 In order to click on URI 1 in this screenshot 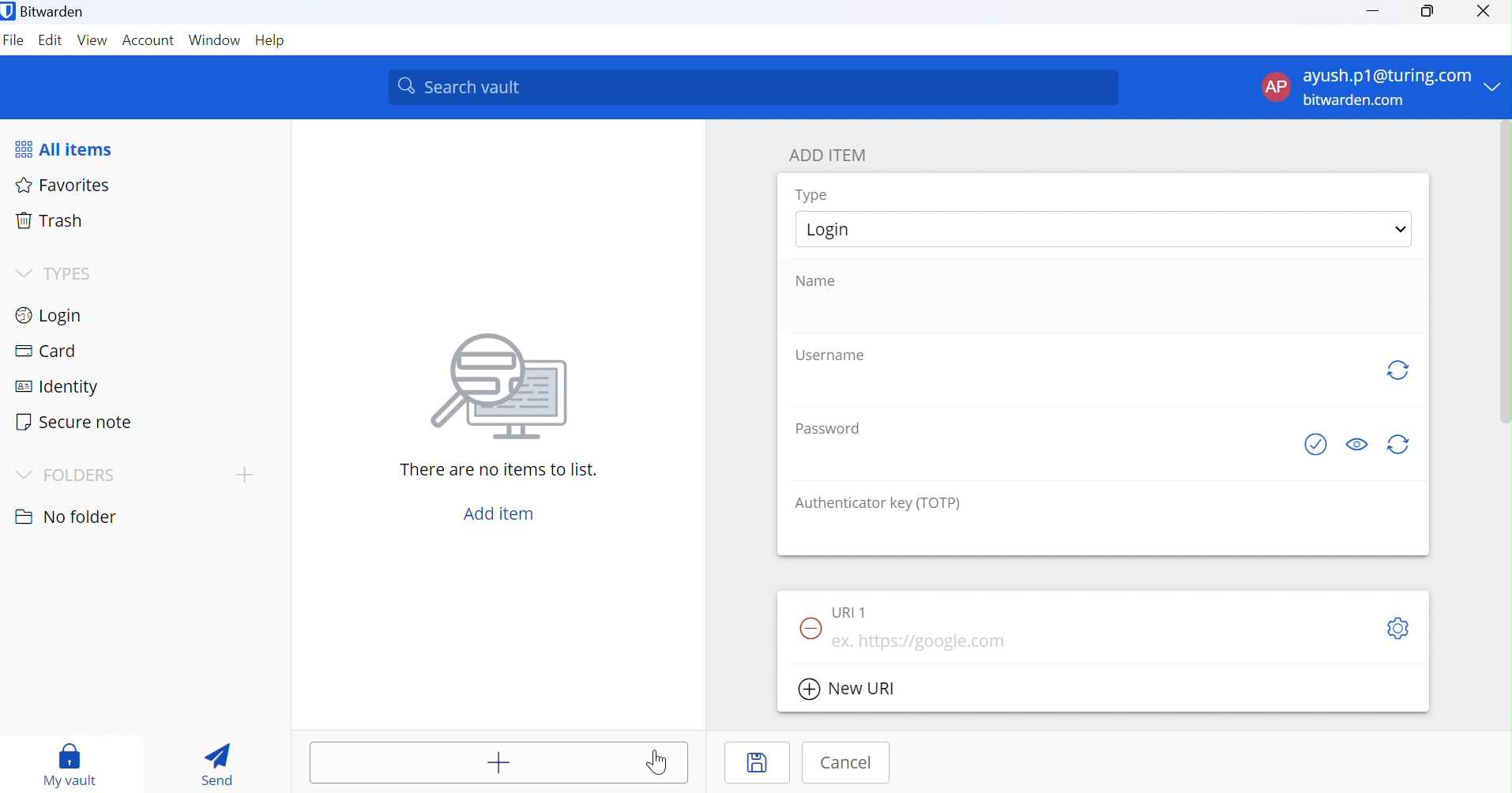, I will do `click(850, 613)`.